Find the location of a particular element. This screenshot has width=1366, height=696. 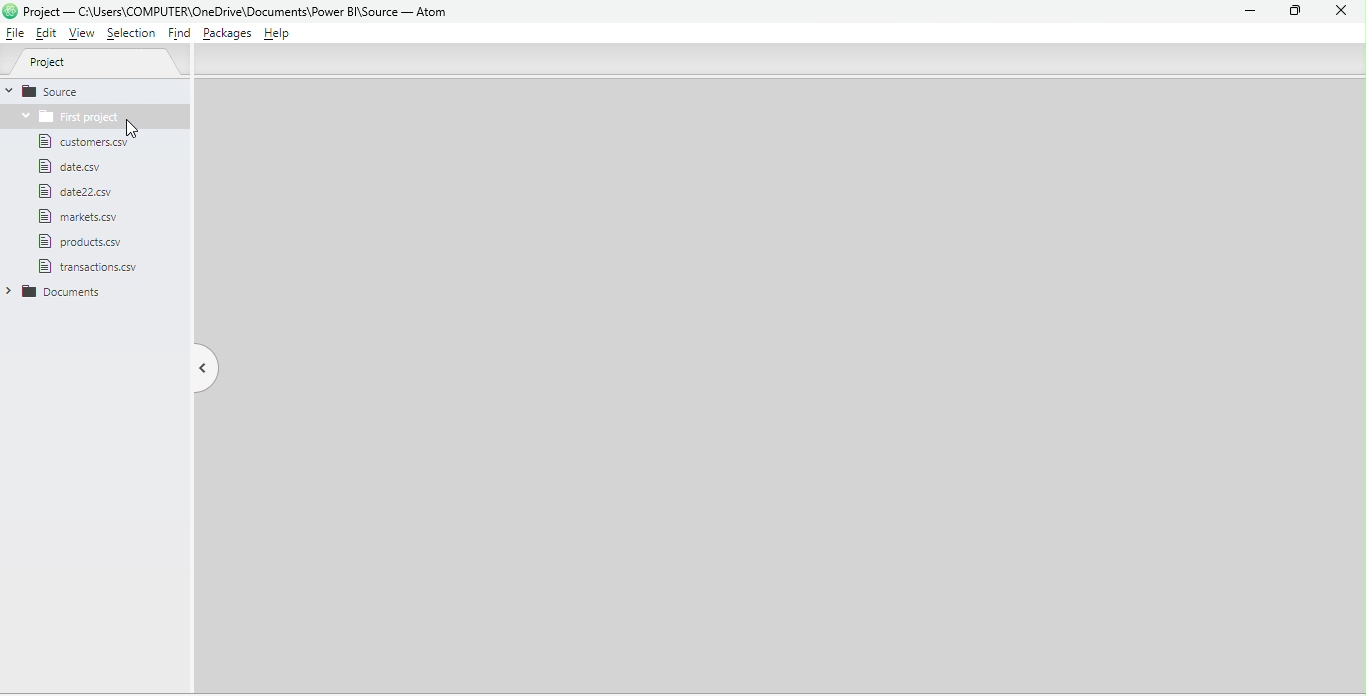

logo  is located at coordinates (10, 11).